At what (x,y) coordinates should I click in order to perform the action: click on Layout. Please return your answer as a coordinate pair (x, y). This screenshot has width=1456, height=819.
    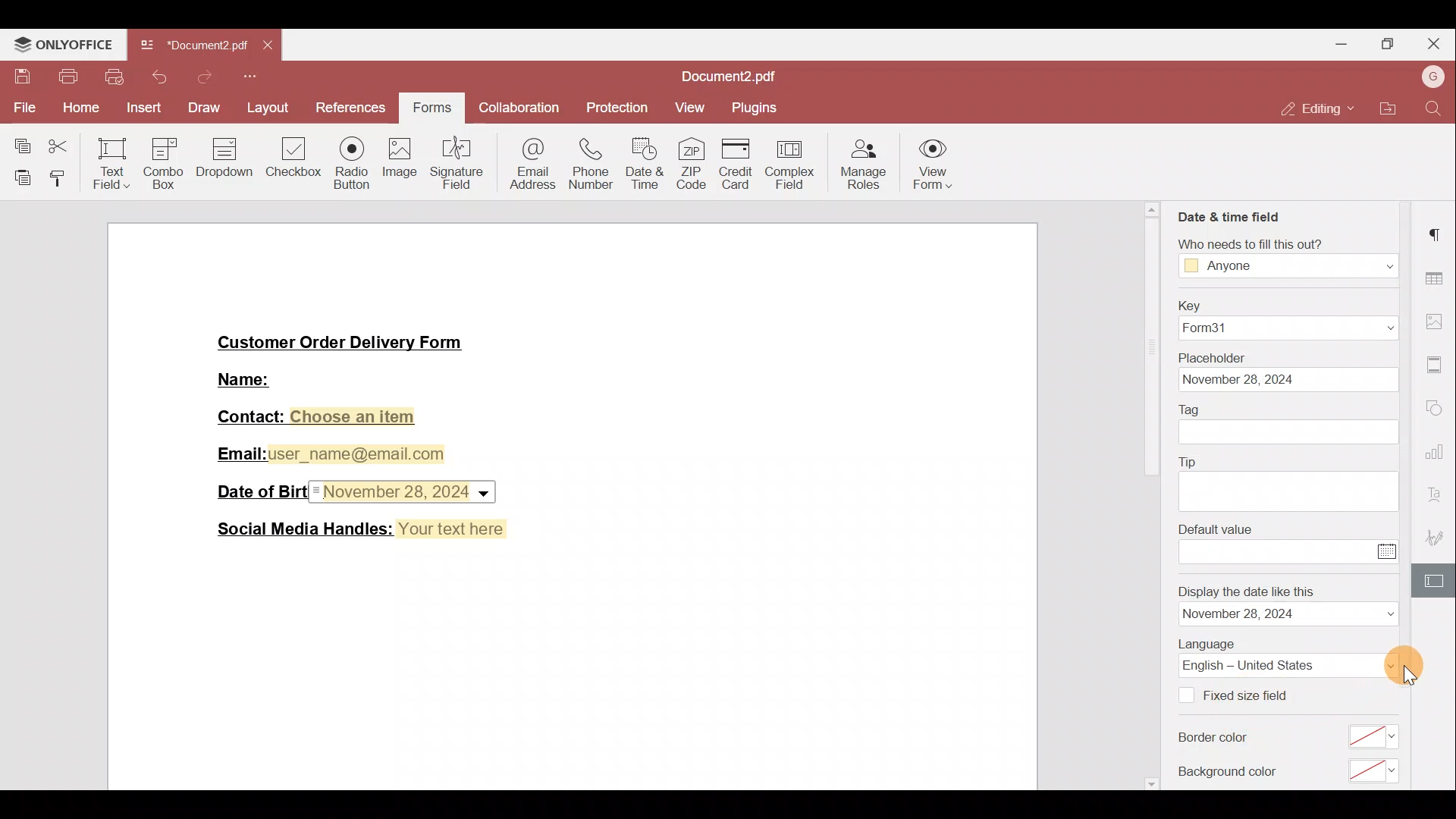
    Looking at the image, I should click on (269, 111).